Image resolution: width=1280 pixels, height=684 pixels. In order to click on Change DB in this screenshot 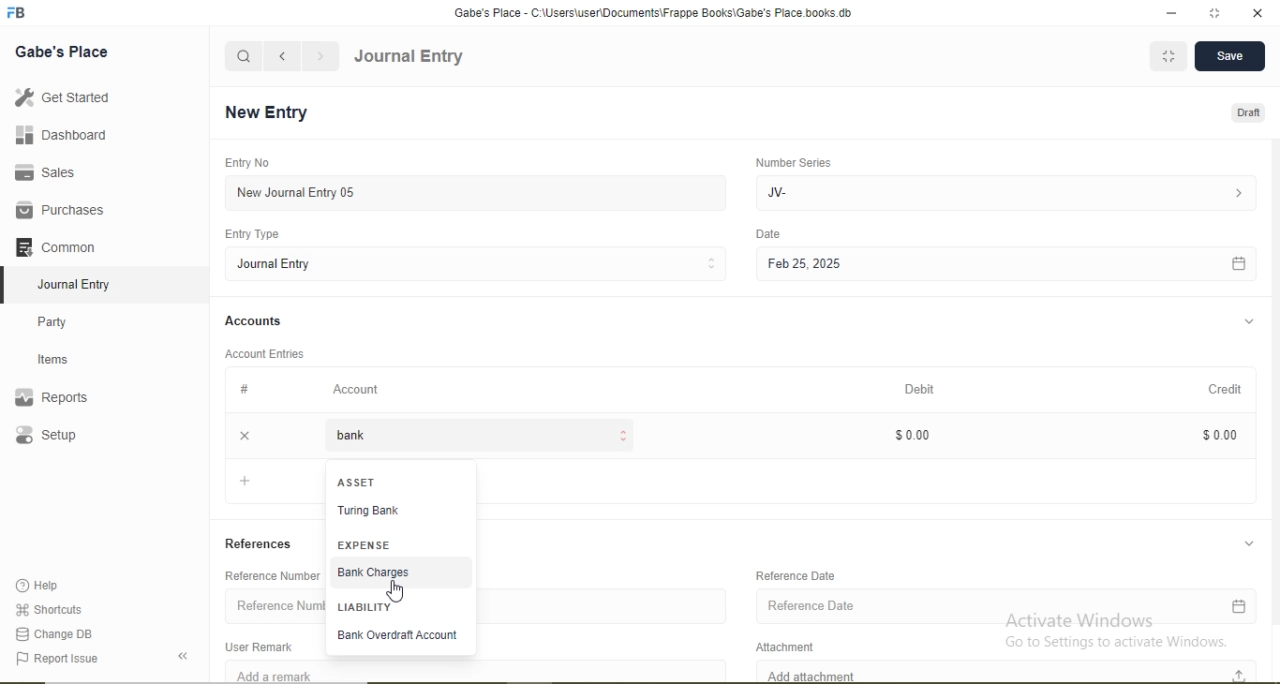, I will do `click(55, 633)`.